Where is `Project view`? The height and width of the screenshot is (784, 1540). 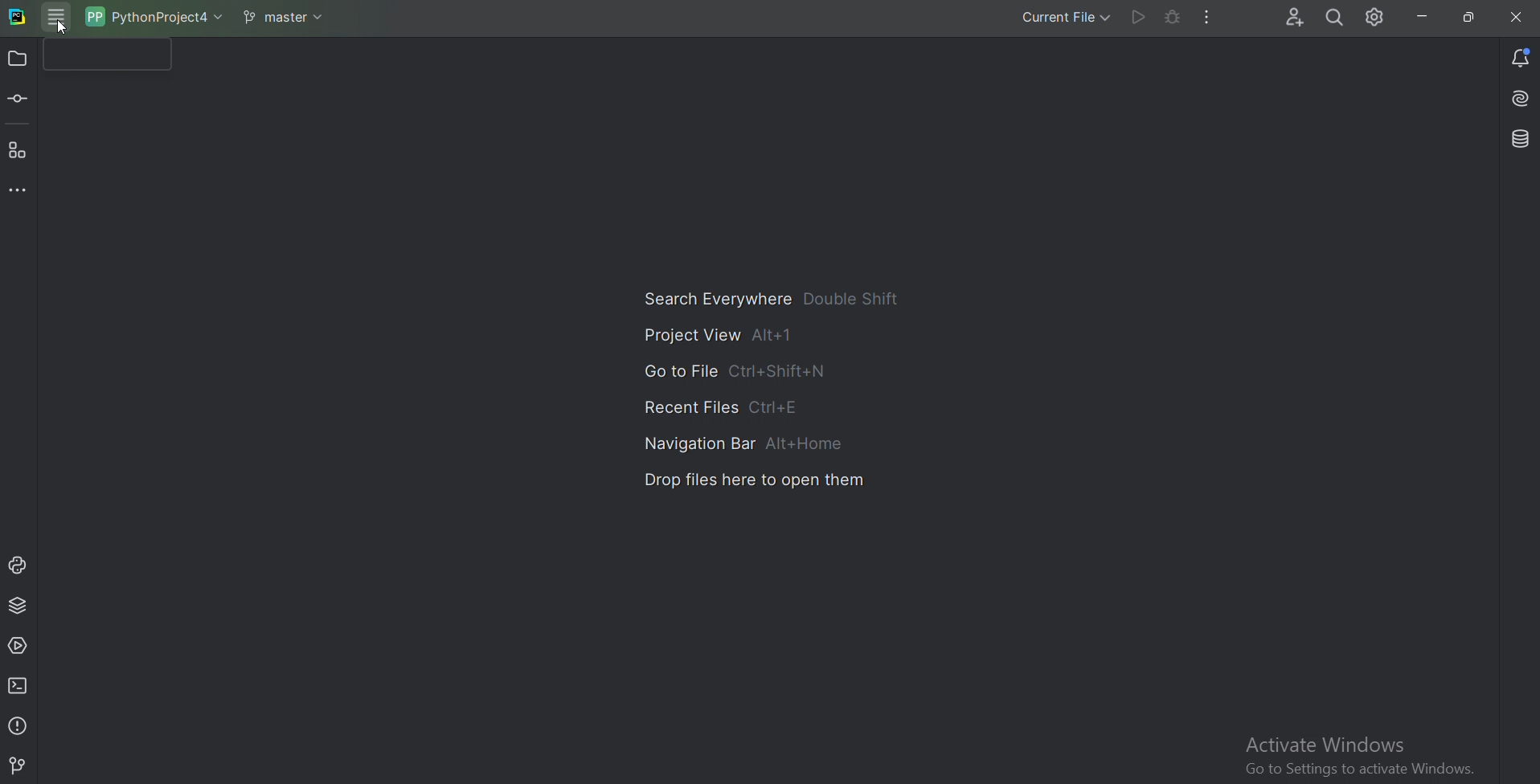 Project view is located at coordinates (719, 337).